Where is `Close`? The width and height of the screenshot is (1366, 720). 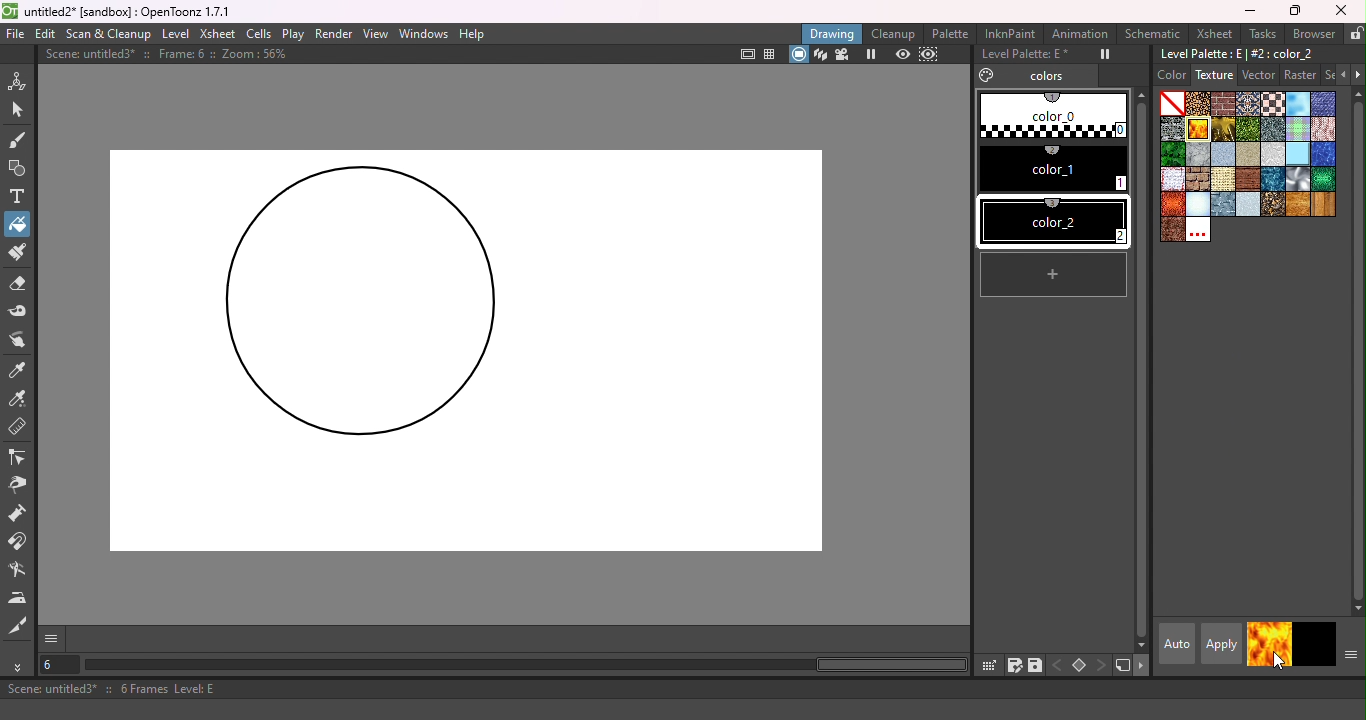 Close is located at coordinates (1344, 12).